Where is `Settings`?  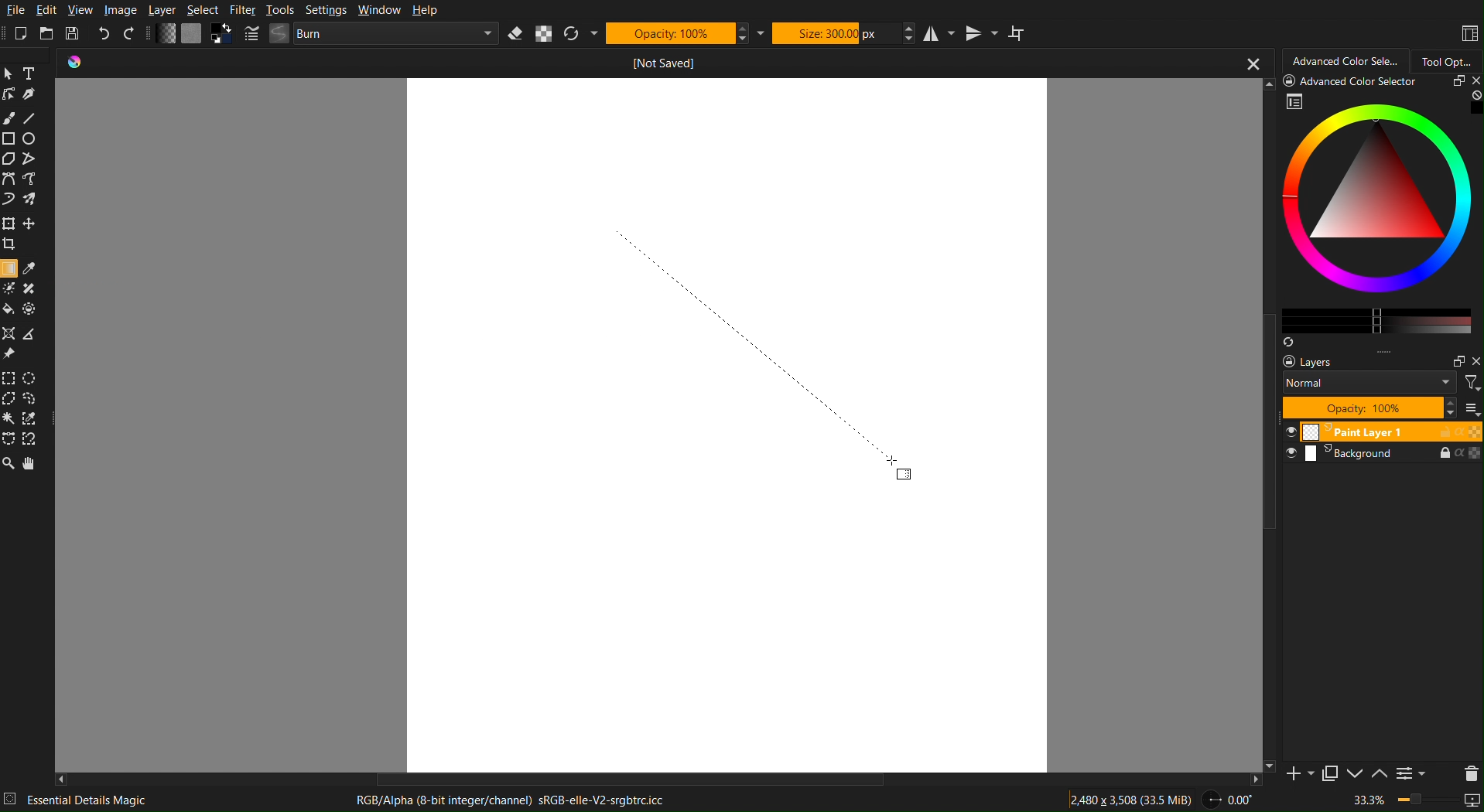
Settings is located at coordinates (323, 10).